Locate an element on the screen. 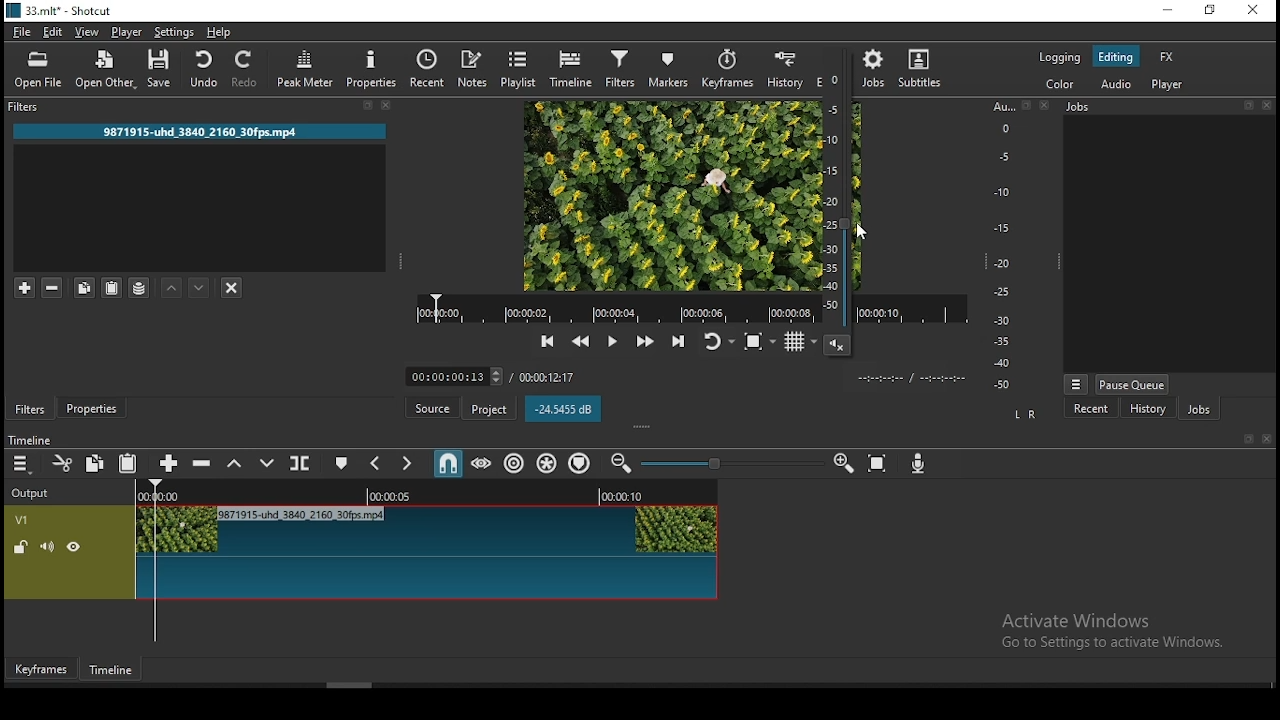  player is located at coordinates (1167, 84).